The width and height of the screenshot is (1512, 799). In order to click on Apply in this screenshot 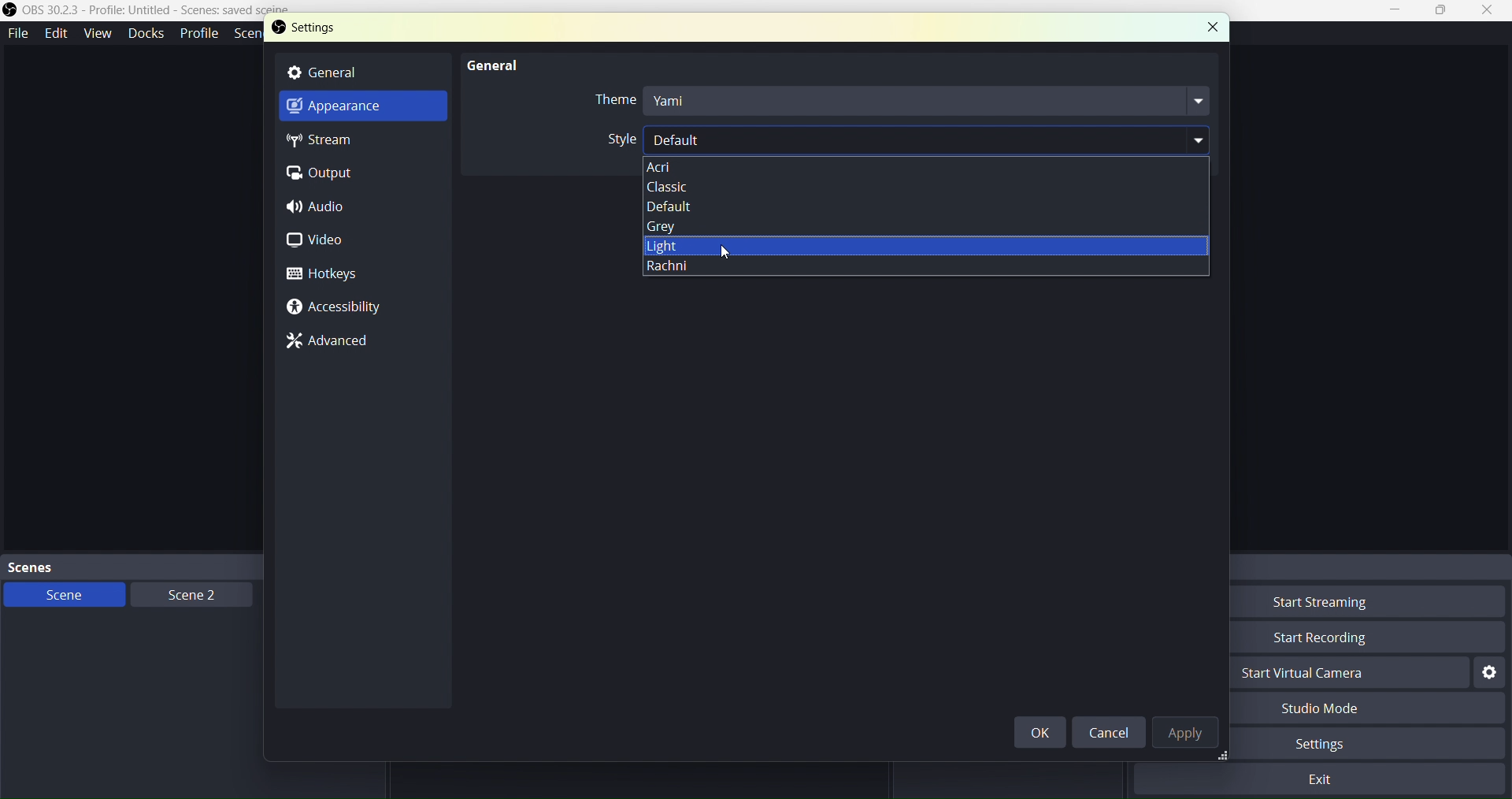, I will do `click(1188, 735)`.